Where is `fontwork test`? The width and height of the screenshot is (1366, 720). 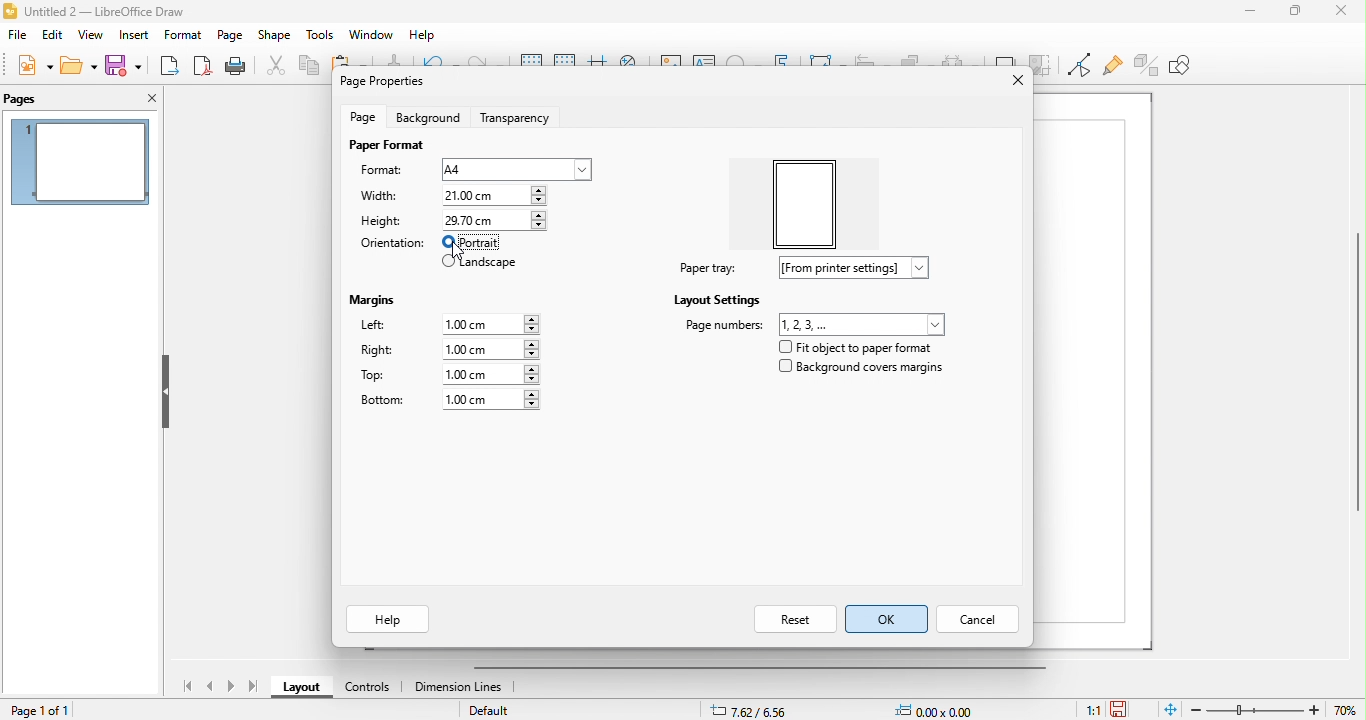 fontwork test is located at coordinates (781, 64).